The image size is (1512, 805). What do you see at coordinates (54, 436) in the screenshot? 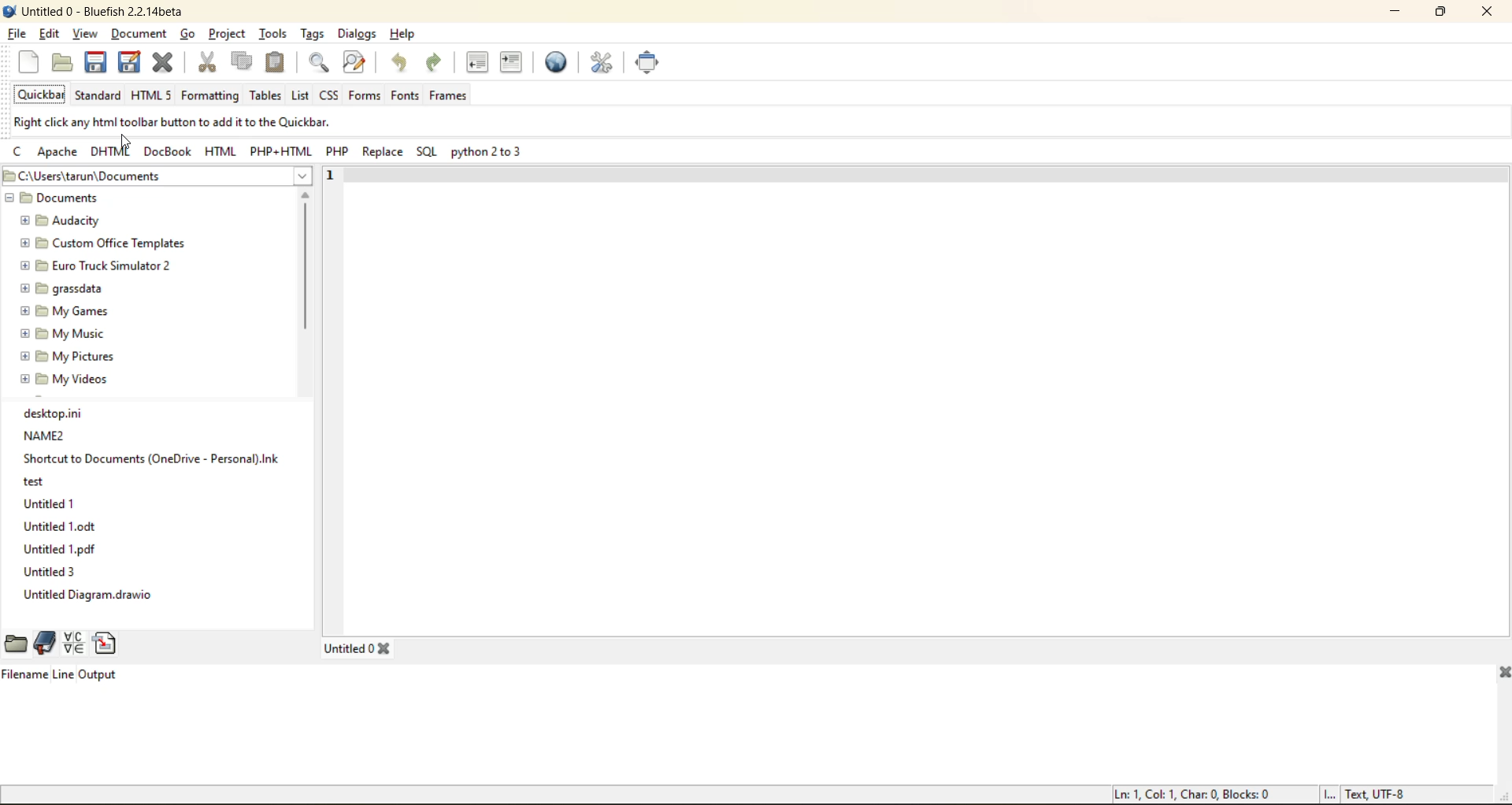
I see `NAME2` at bounding box center [54, 436].